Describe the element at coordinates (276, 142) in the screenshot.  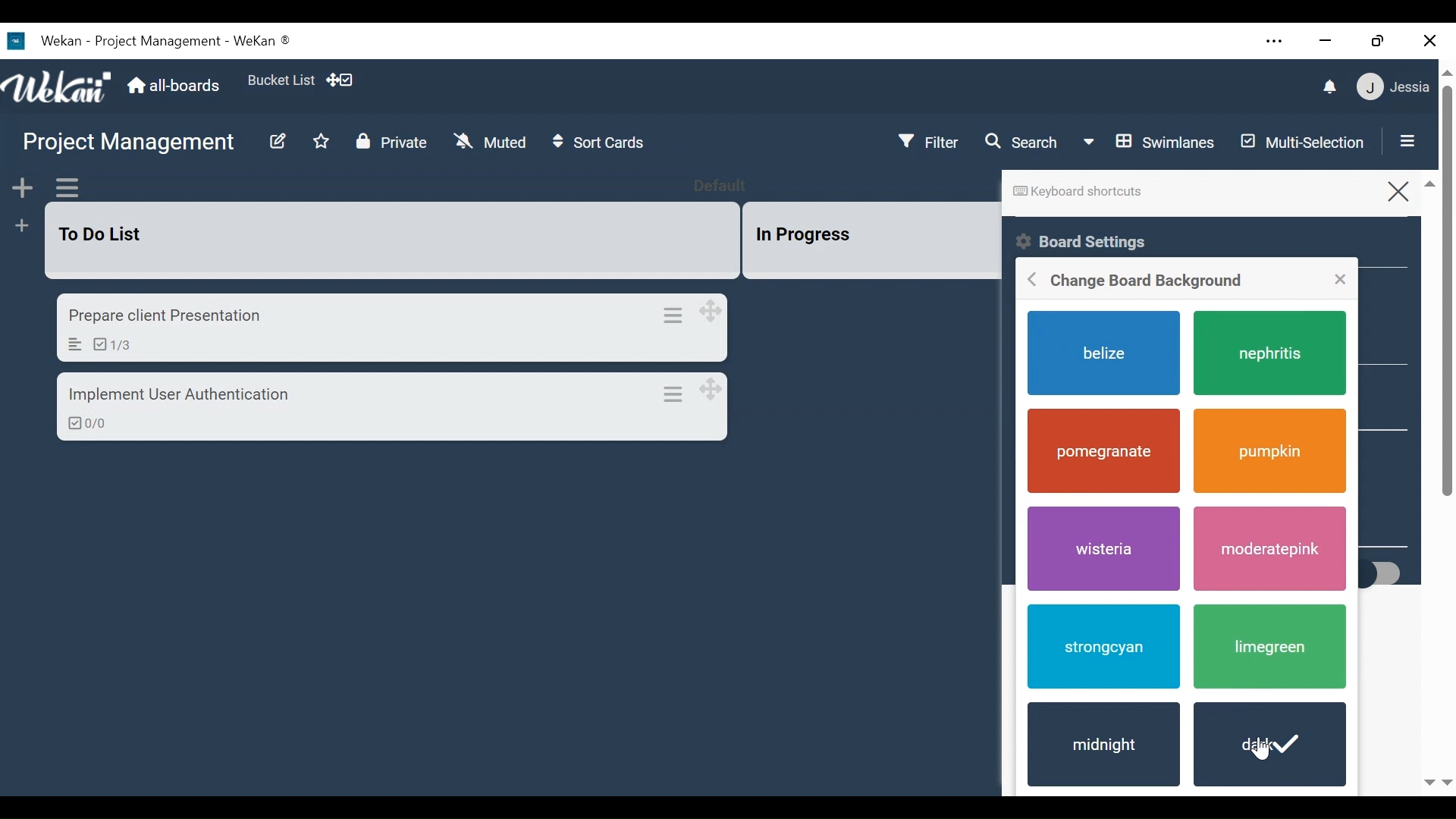
I see `Edit` at that location.